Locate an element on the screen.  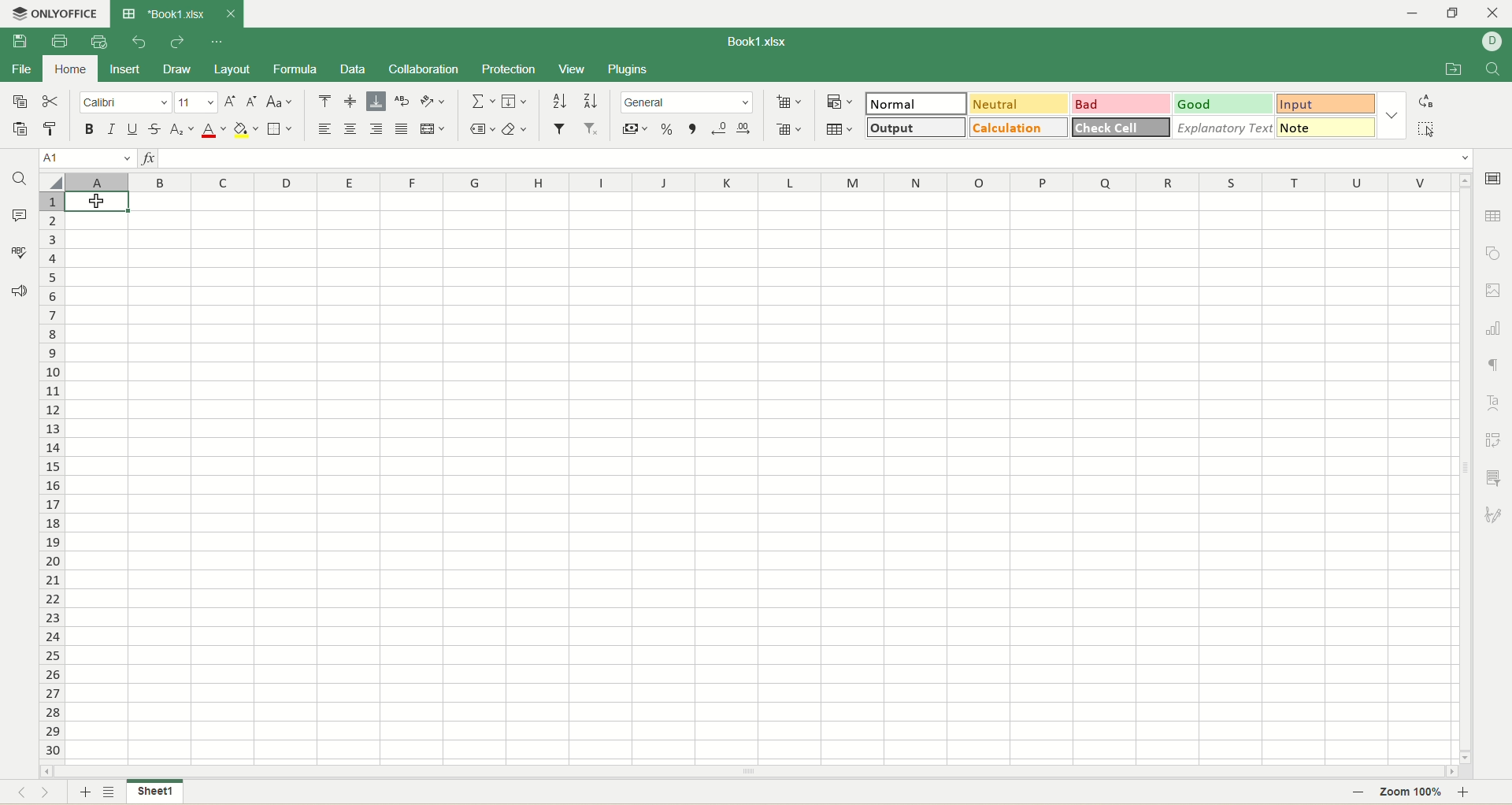
underline is located at coordinates (134, 131).